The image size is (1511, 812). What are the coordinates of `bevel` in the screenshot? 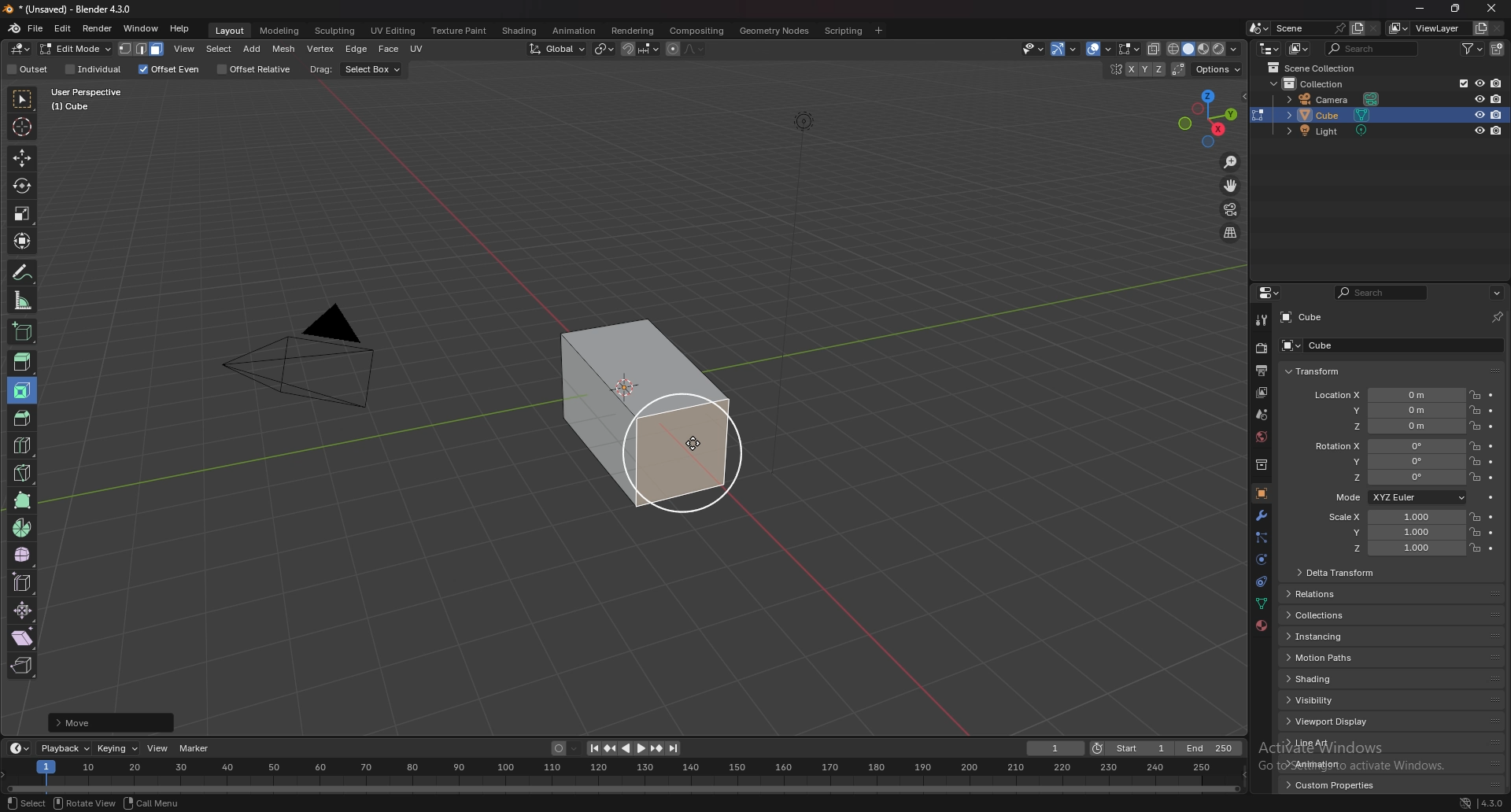 It's located at (19, 416).